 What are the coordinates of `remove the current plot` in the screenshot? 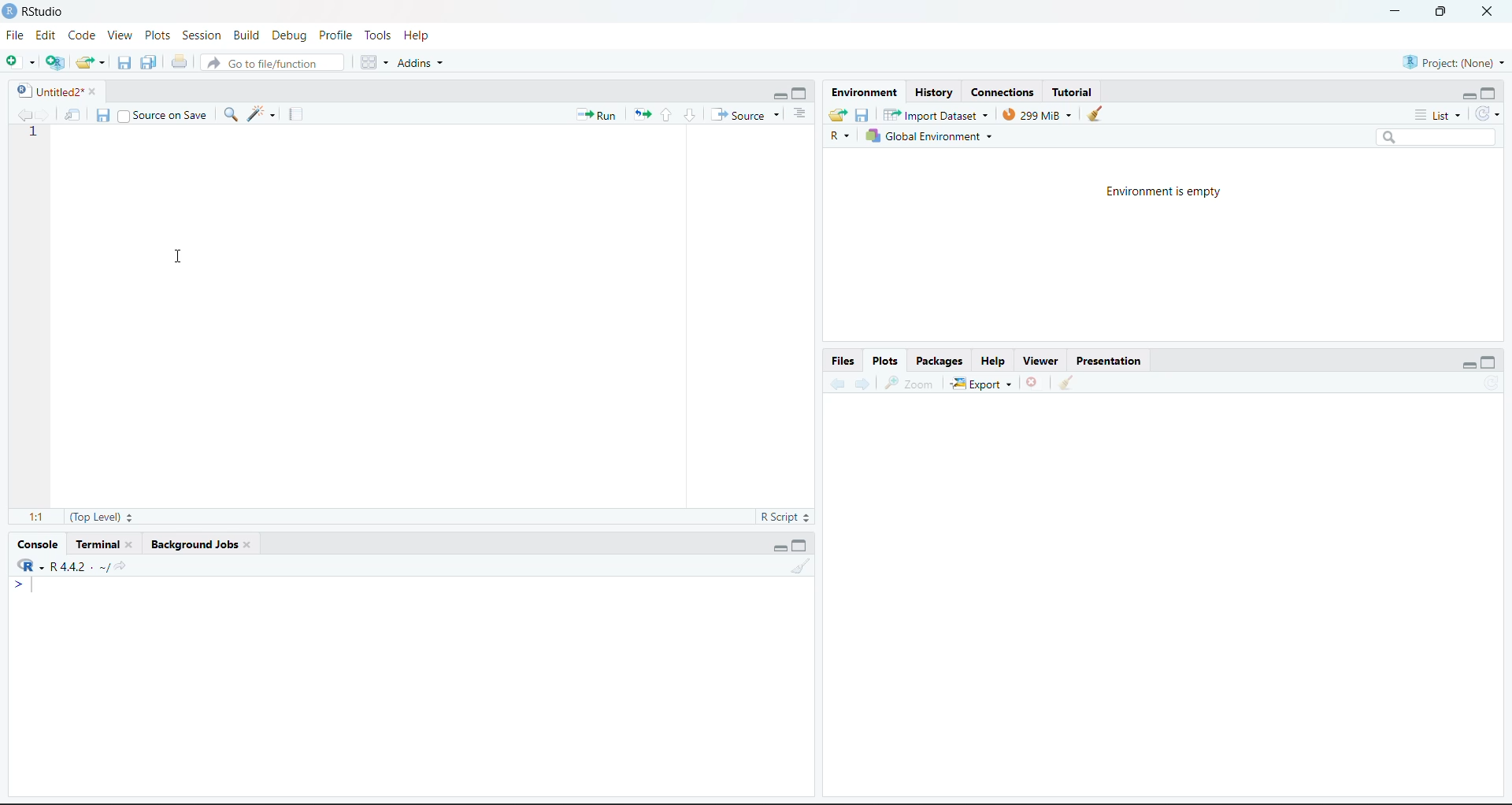 It's located at (1035, 381).